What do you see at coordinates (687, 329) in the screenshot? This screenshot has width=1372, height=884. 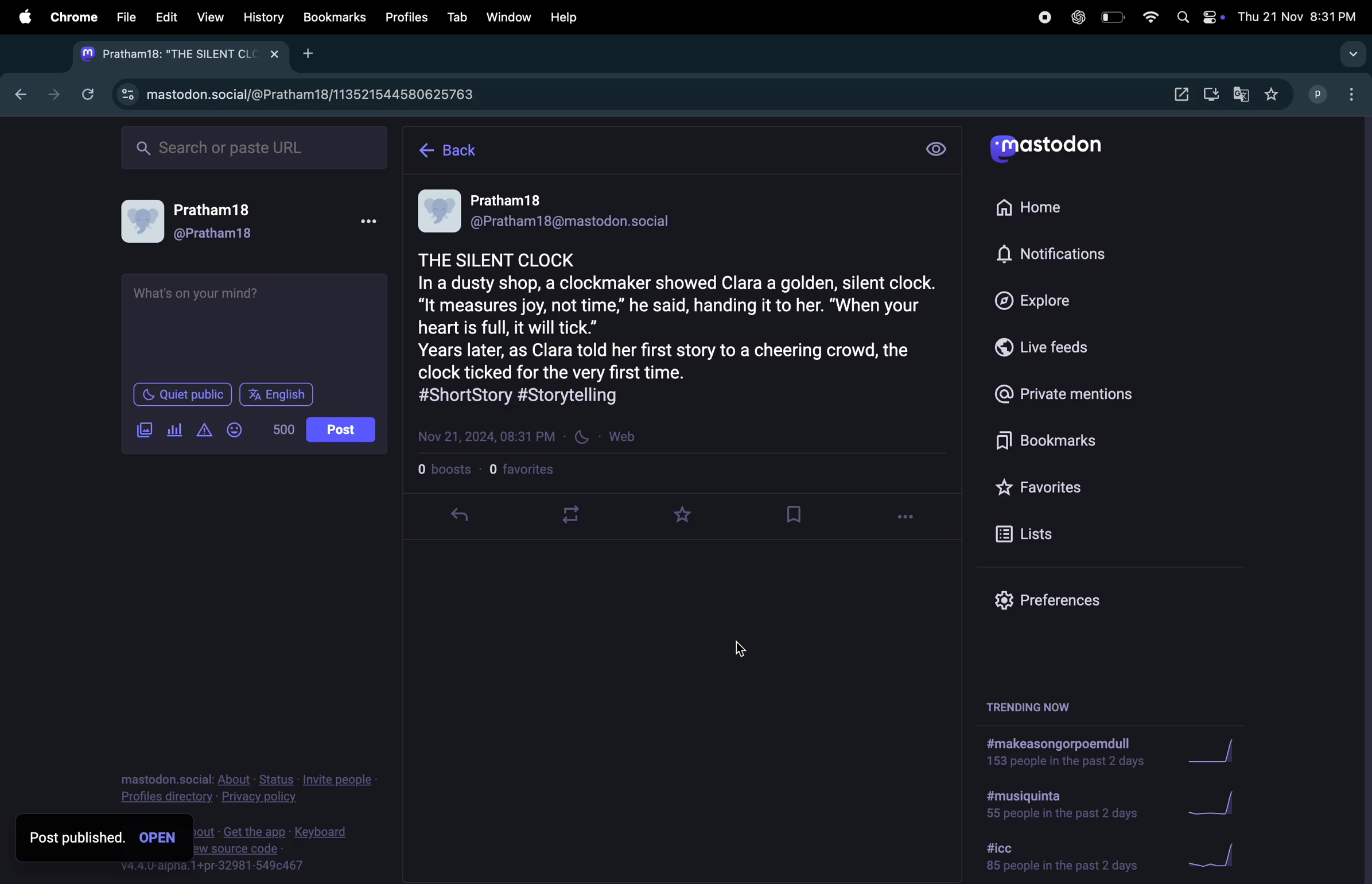 I see `post` at bounding box center [687, 329].